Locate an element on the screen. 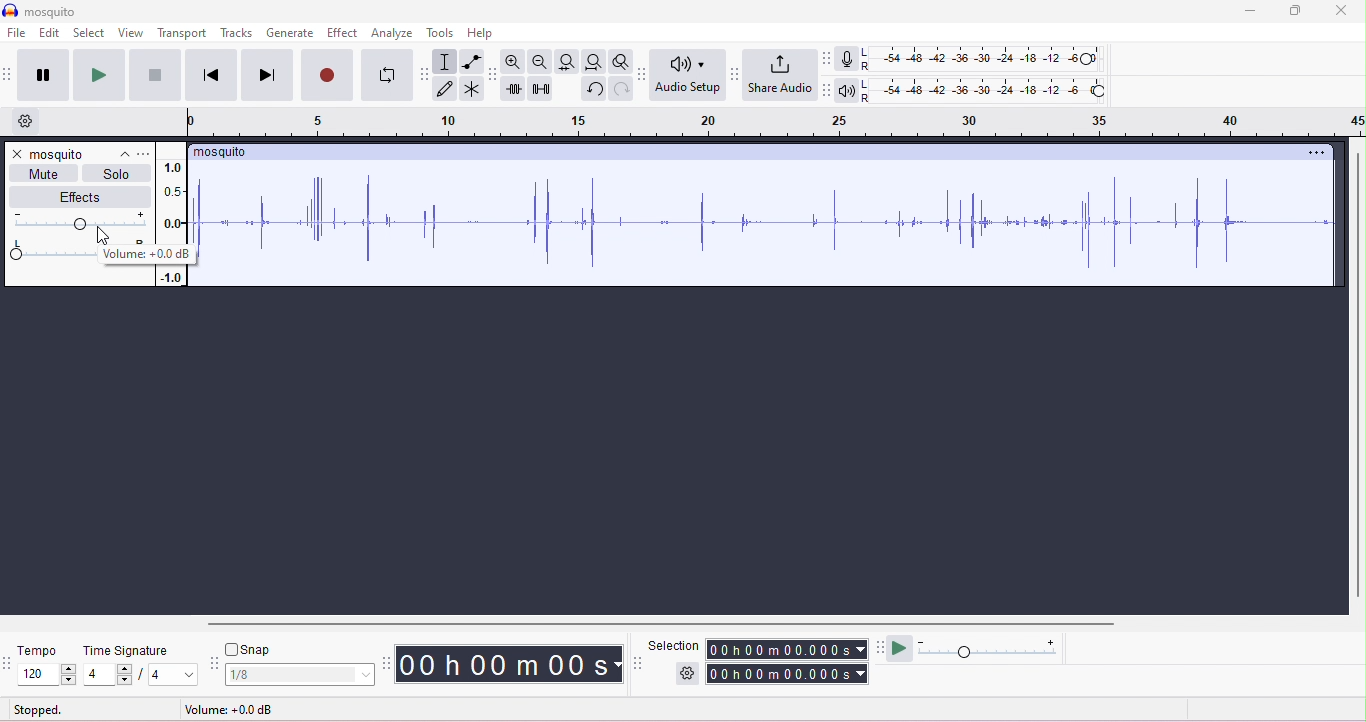  select time signature is located at coordinates (106, 675).